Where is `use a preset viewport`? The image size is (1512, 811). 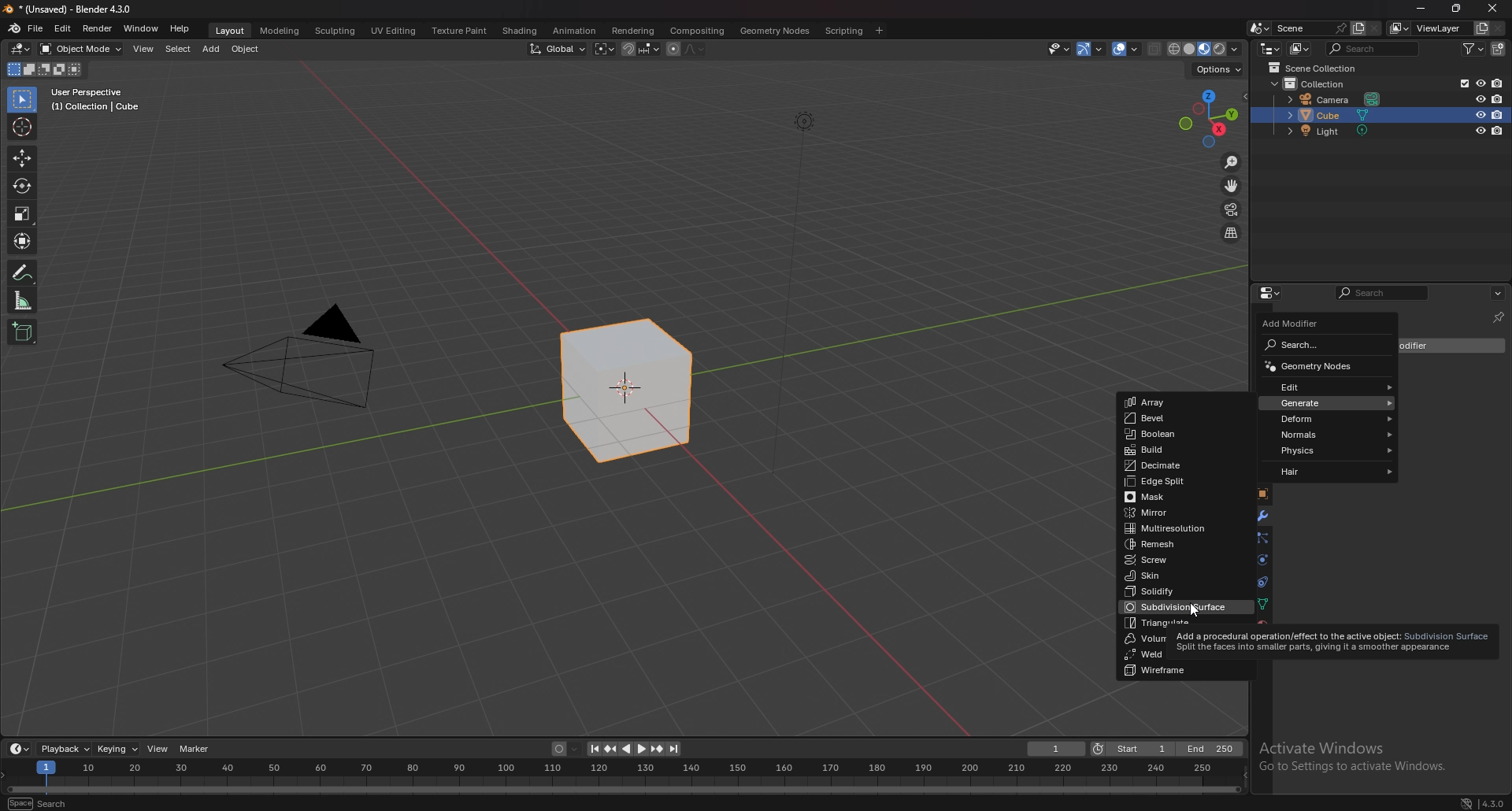 use a preset viewport is located at coordinates (1210, 119).